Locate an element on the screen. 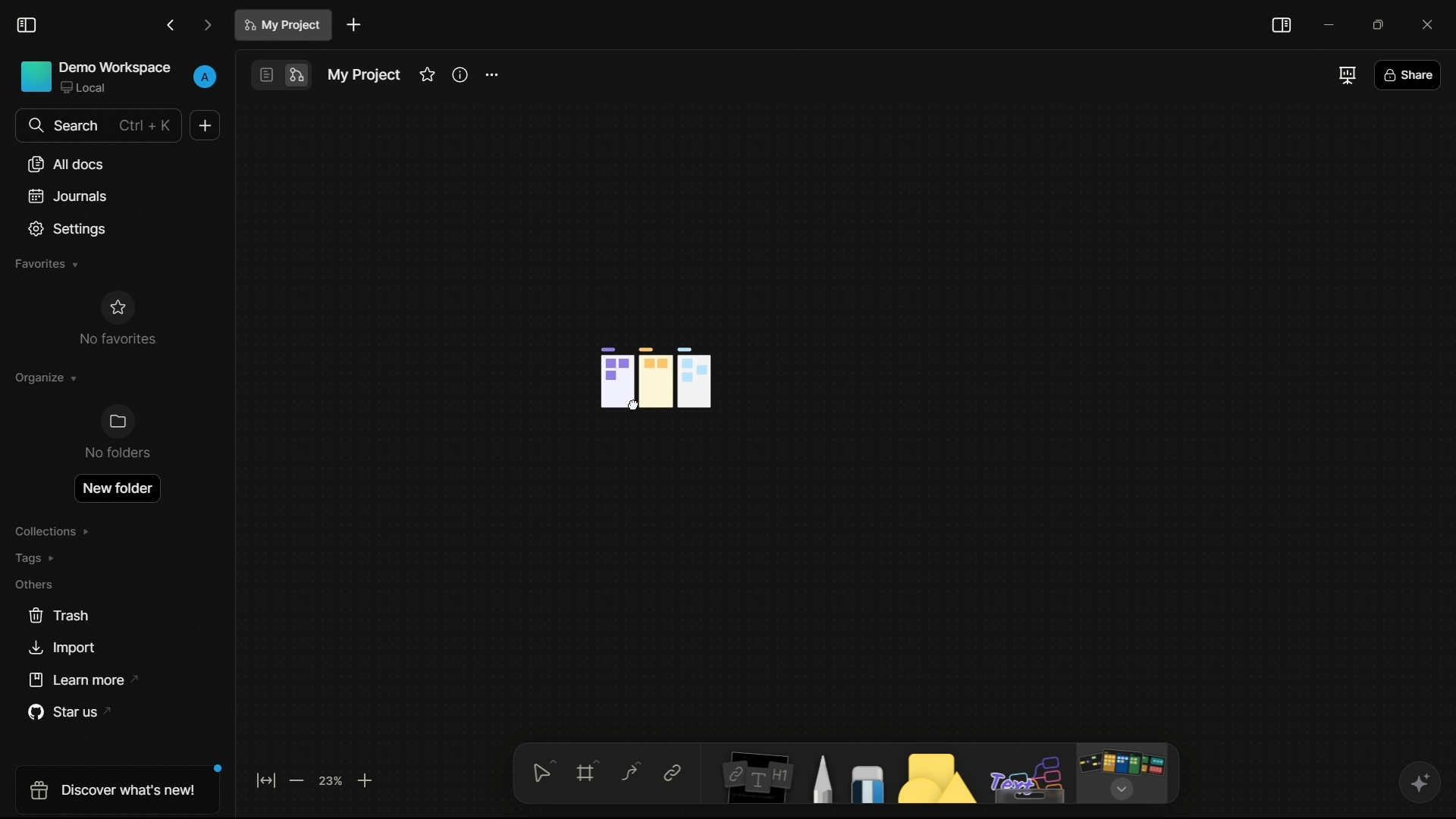 The width and height of the screenshot is (1456, 819). link is located at coordinates (672, 773).